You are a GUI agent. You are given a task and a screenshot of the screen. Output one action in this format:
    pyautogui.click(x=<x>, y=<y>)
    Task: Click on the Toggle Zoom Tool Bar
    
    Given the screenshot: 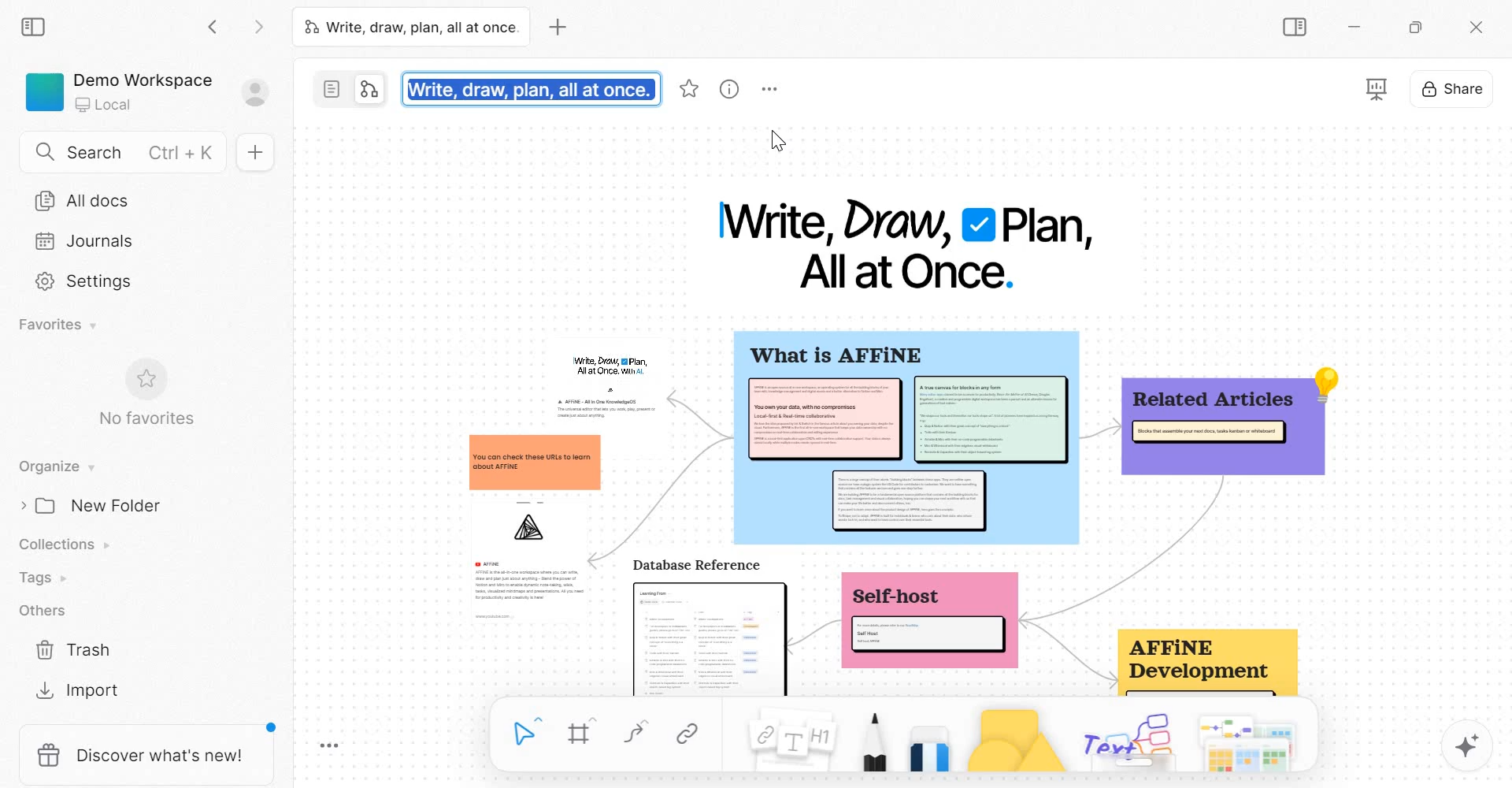 What is the action you would take?
    pyautogui.click(x=327, y=745)
    